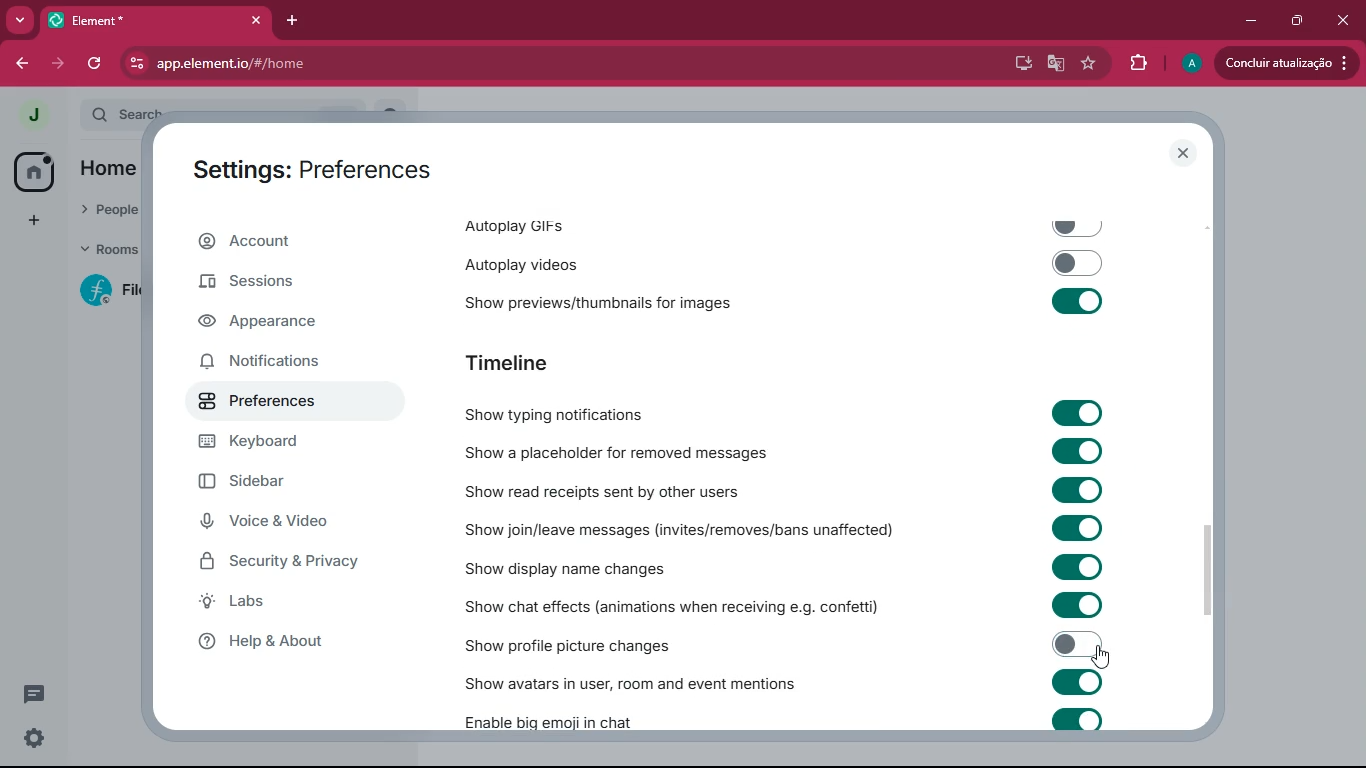  What do you see at coordinates (272, 287) in the screenshot?
I see `sessions` at bounding box center [272, 287].